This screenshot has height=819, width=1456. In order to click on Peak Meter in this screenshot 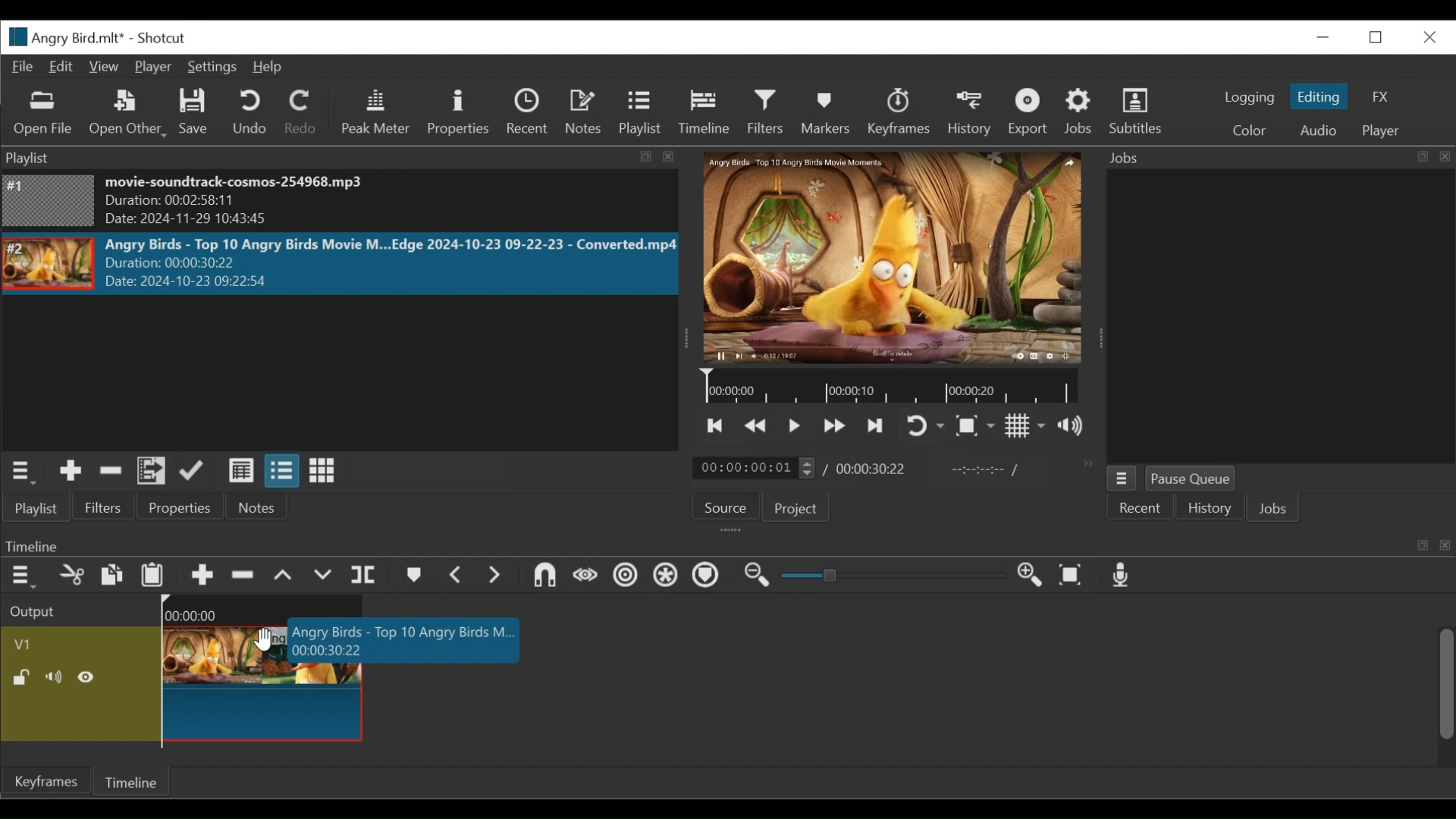, I will do `click(375, 114)`.